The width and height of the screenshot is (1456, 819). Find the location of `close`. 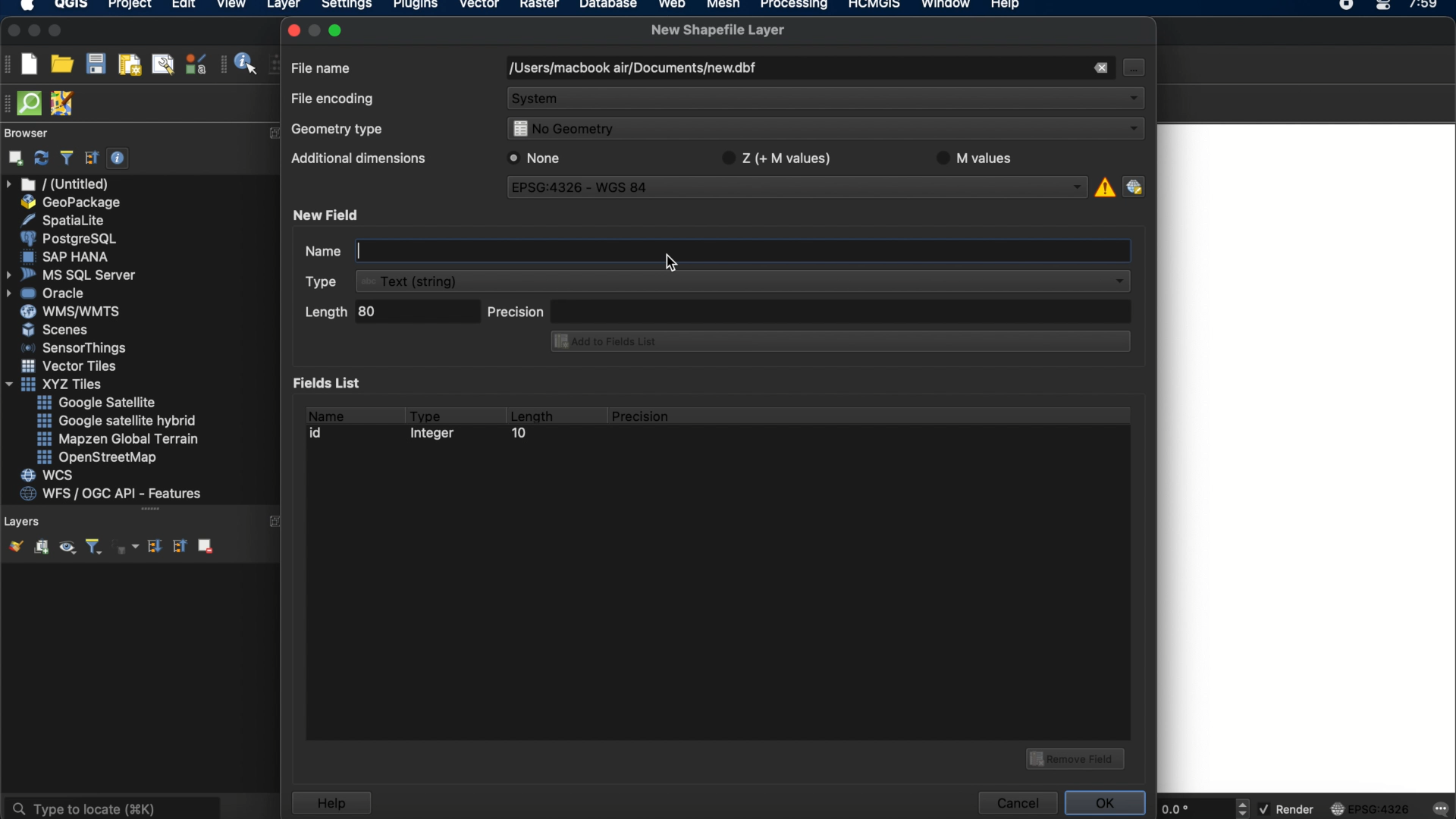

close is located at coordinates (12, 31).